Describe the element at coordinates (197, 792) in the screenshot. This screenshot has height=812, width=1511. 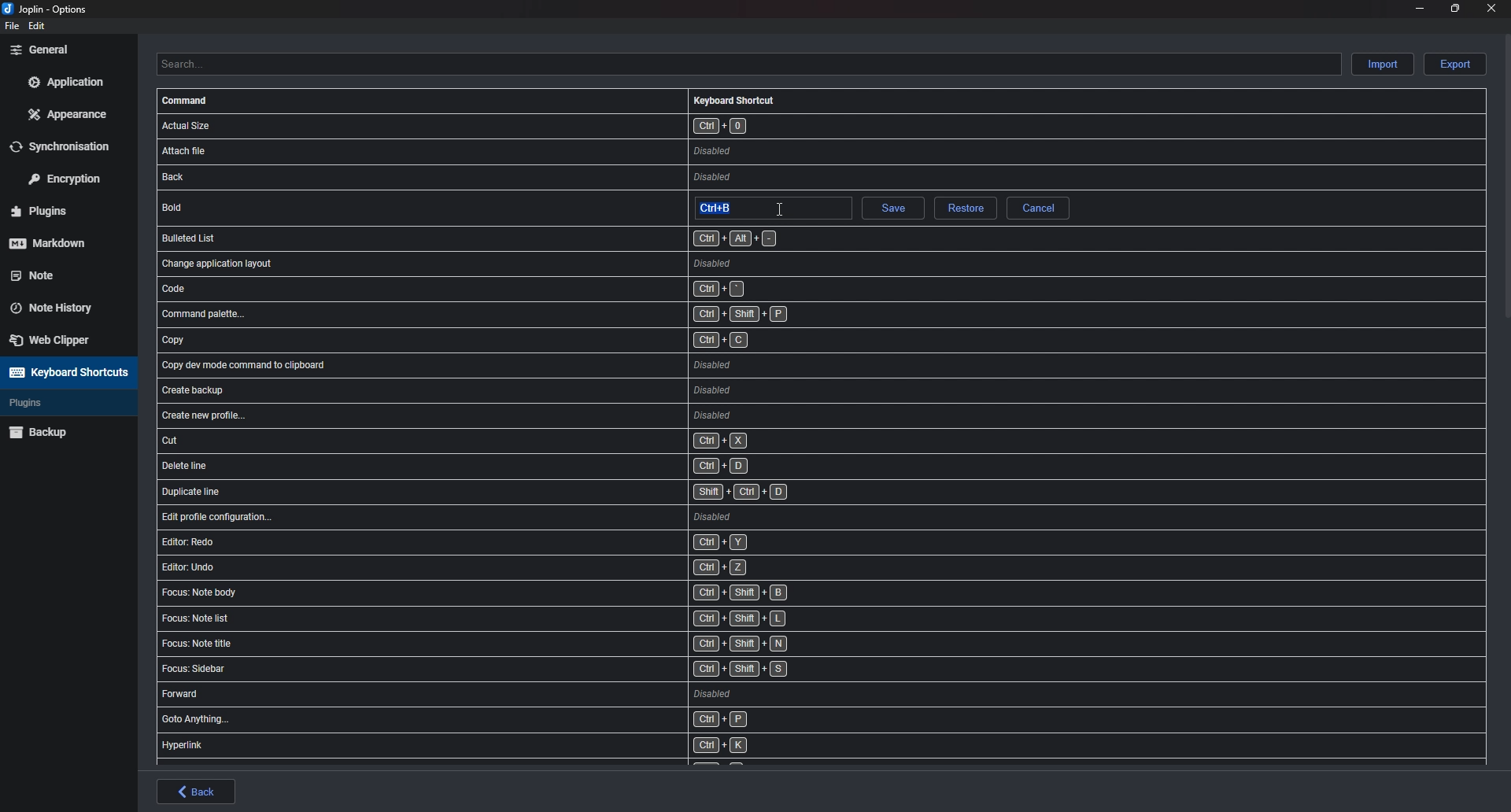
I see `back` at that location.